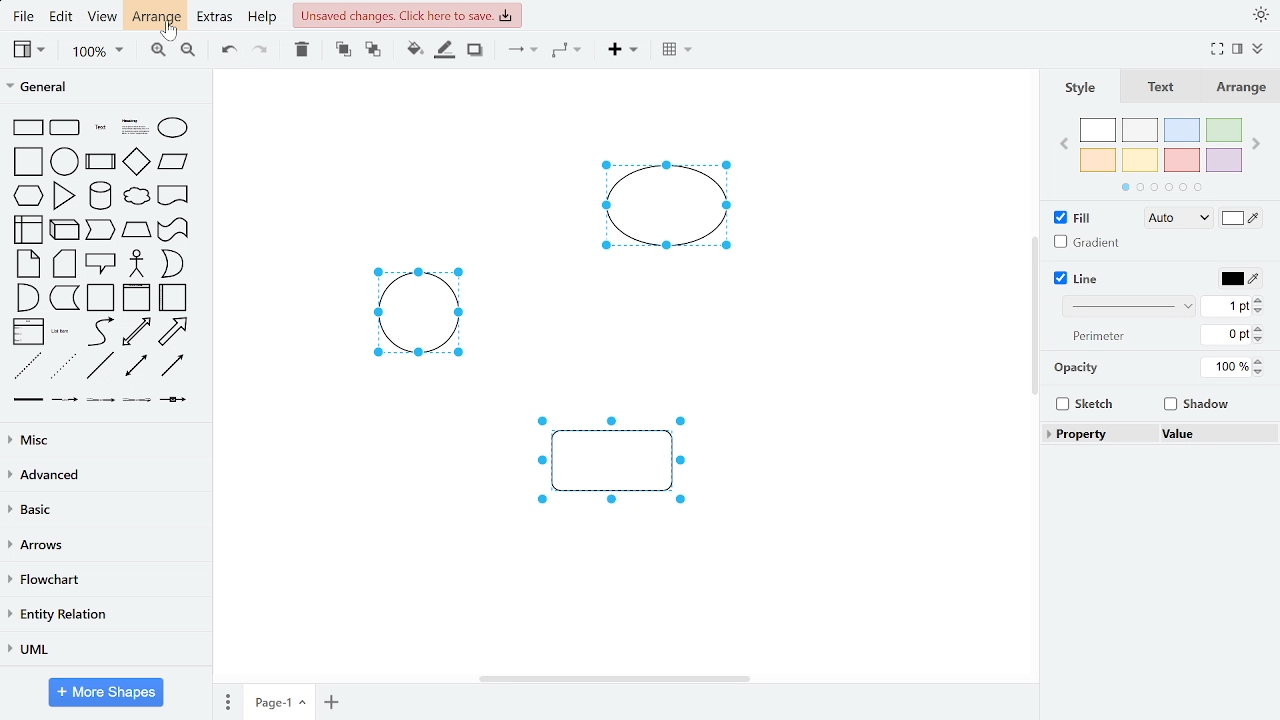  I want to click on shadow, so click(474, 51).